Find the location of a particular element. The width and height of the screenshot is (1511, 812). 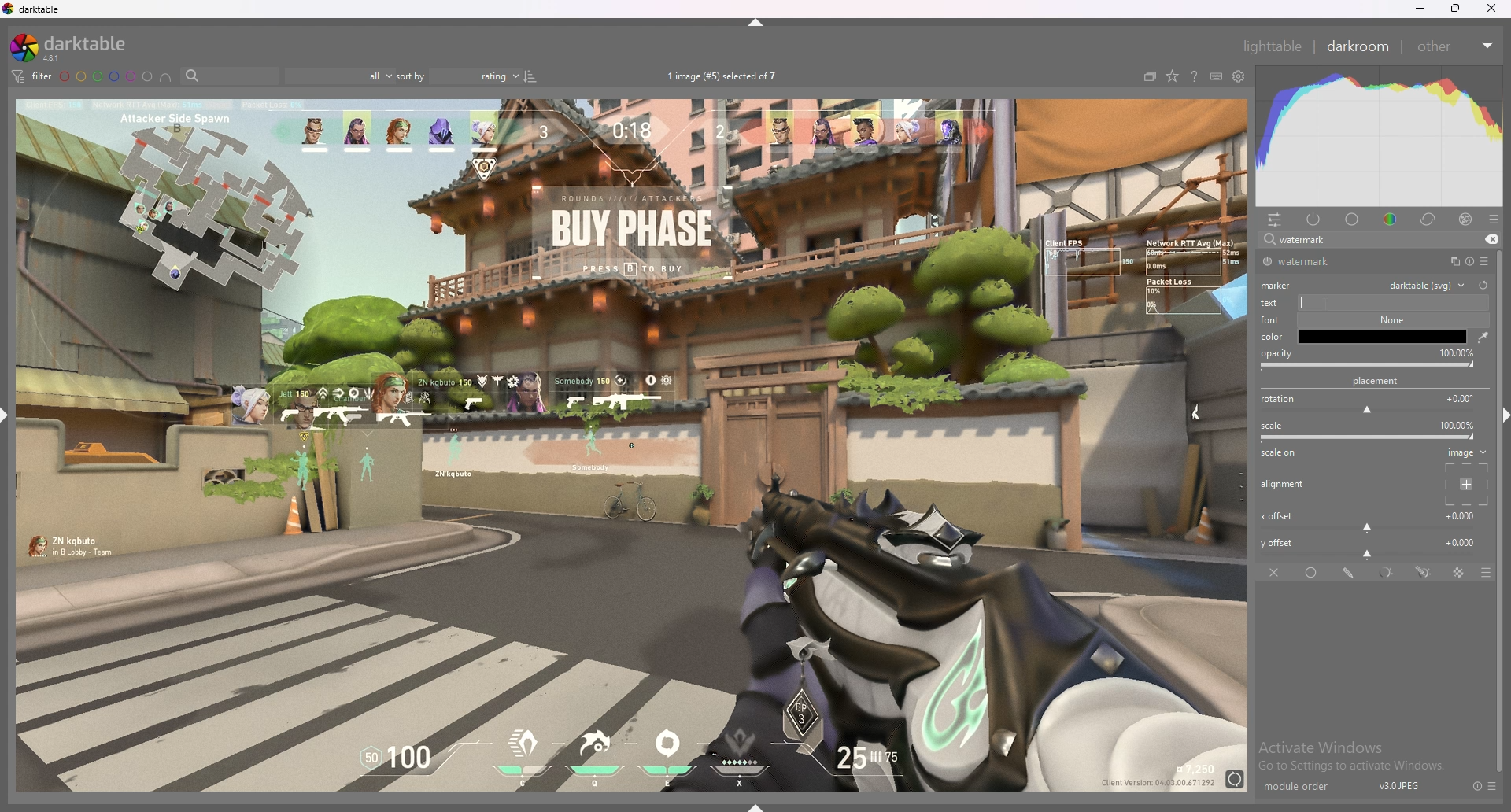

reset is located at coordinates (1469, 262).